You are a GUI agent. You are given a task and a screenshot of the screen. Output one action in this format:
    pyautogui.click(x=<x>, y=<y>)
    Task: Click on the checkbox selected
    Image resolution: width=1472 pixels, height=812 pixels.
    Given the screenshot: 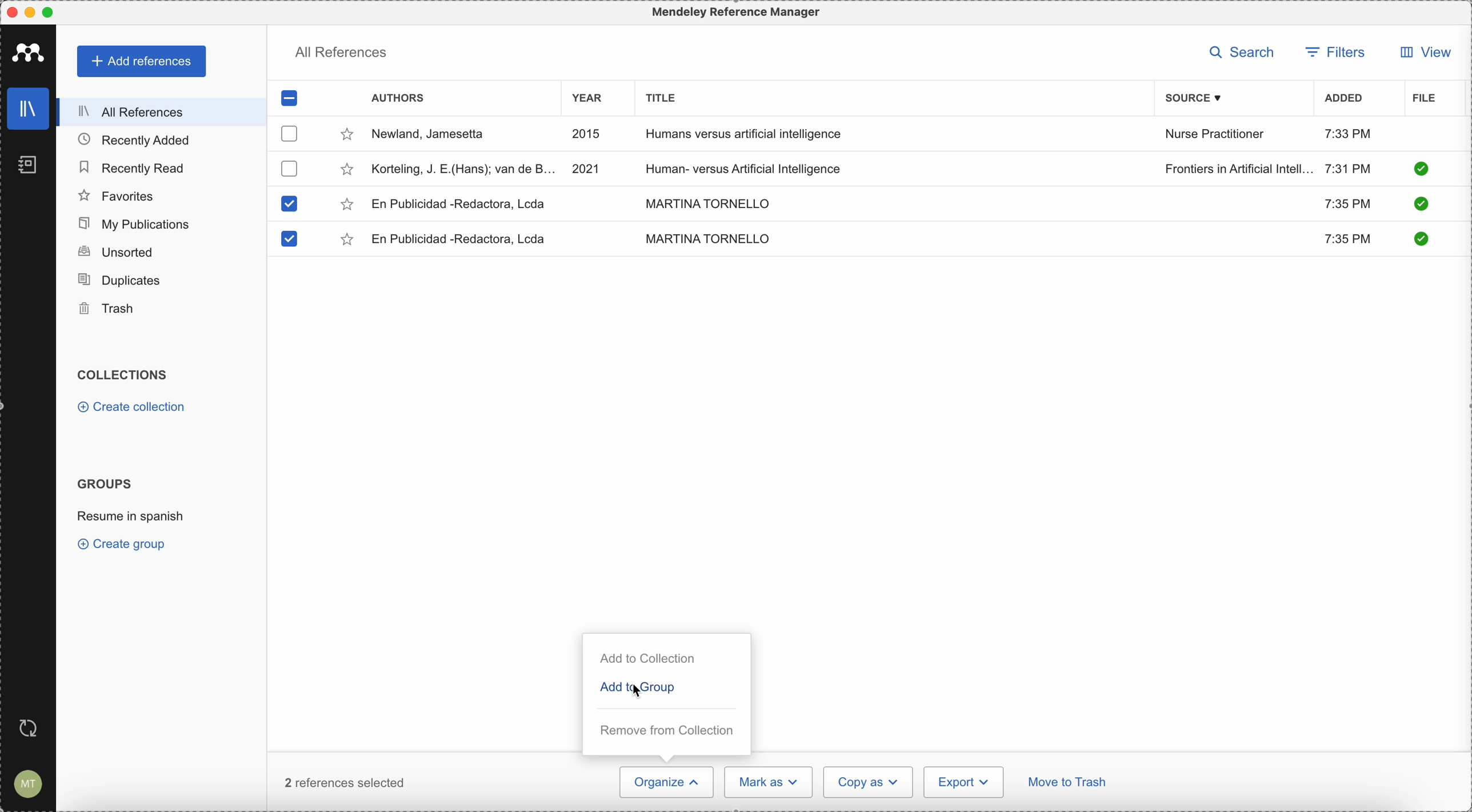 What is the action you would take?
    pyautogui.click(x=289, y=204)
    